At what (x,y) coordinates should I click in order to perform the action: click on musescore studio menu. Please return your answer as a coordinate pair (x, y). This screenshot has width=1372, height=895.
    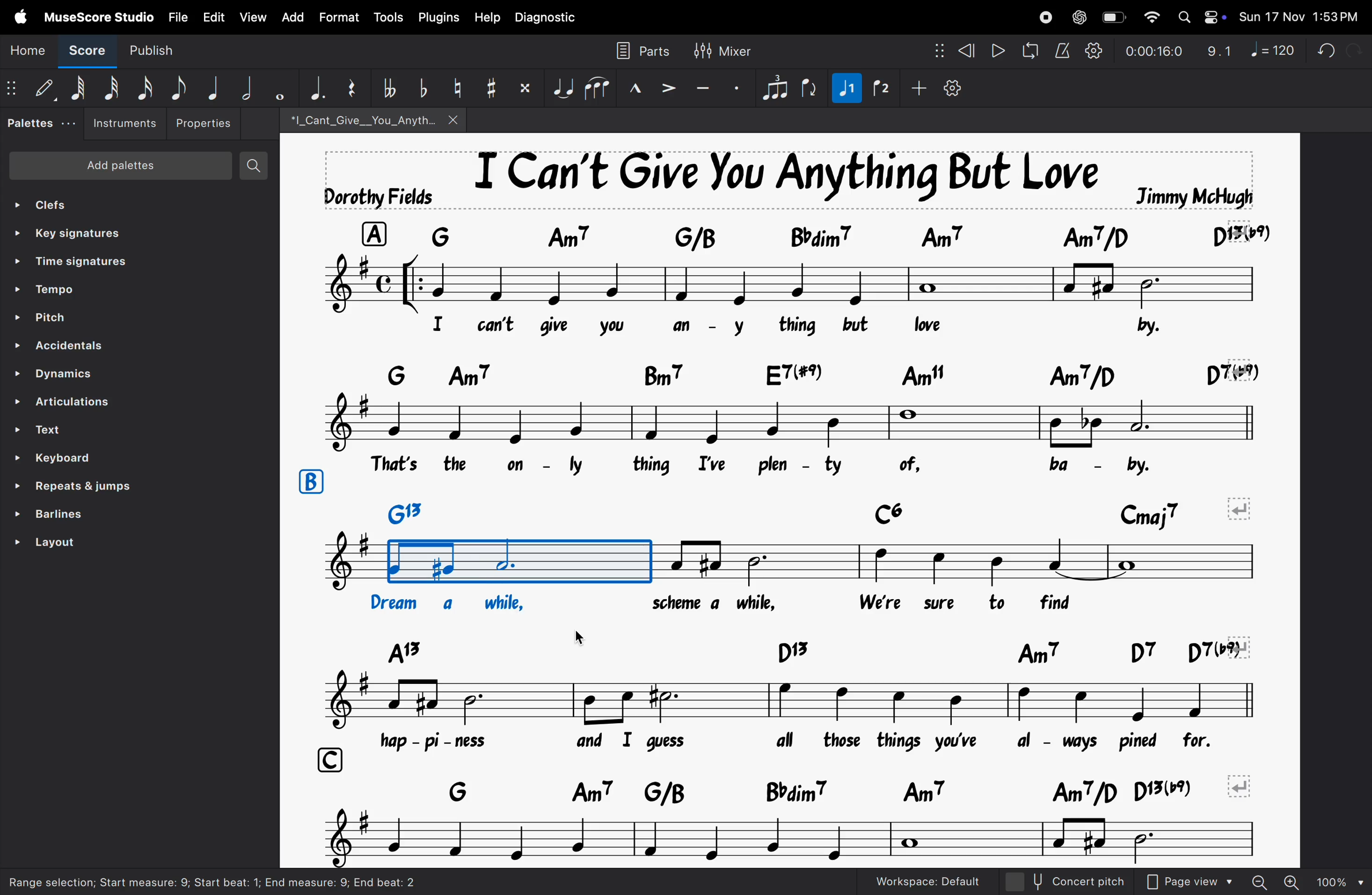
    Looking at the image, I should click on (99, 18).